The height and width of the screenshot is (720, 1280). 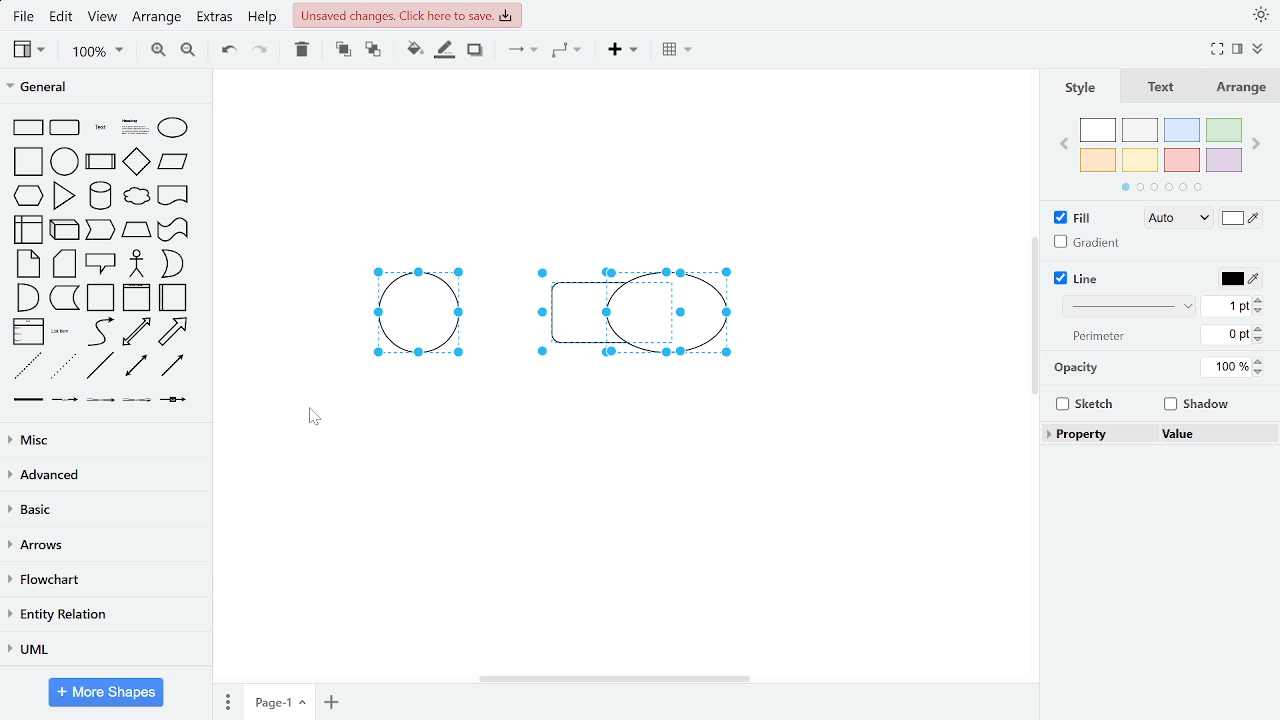 What do you see at coordinates (1099, 130) in the screenshot?
I see `white` at bounding box center [1099, 130].